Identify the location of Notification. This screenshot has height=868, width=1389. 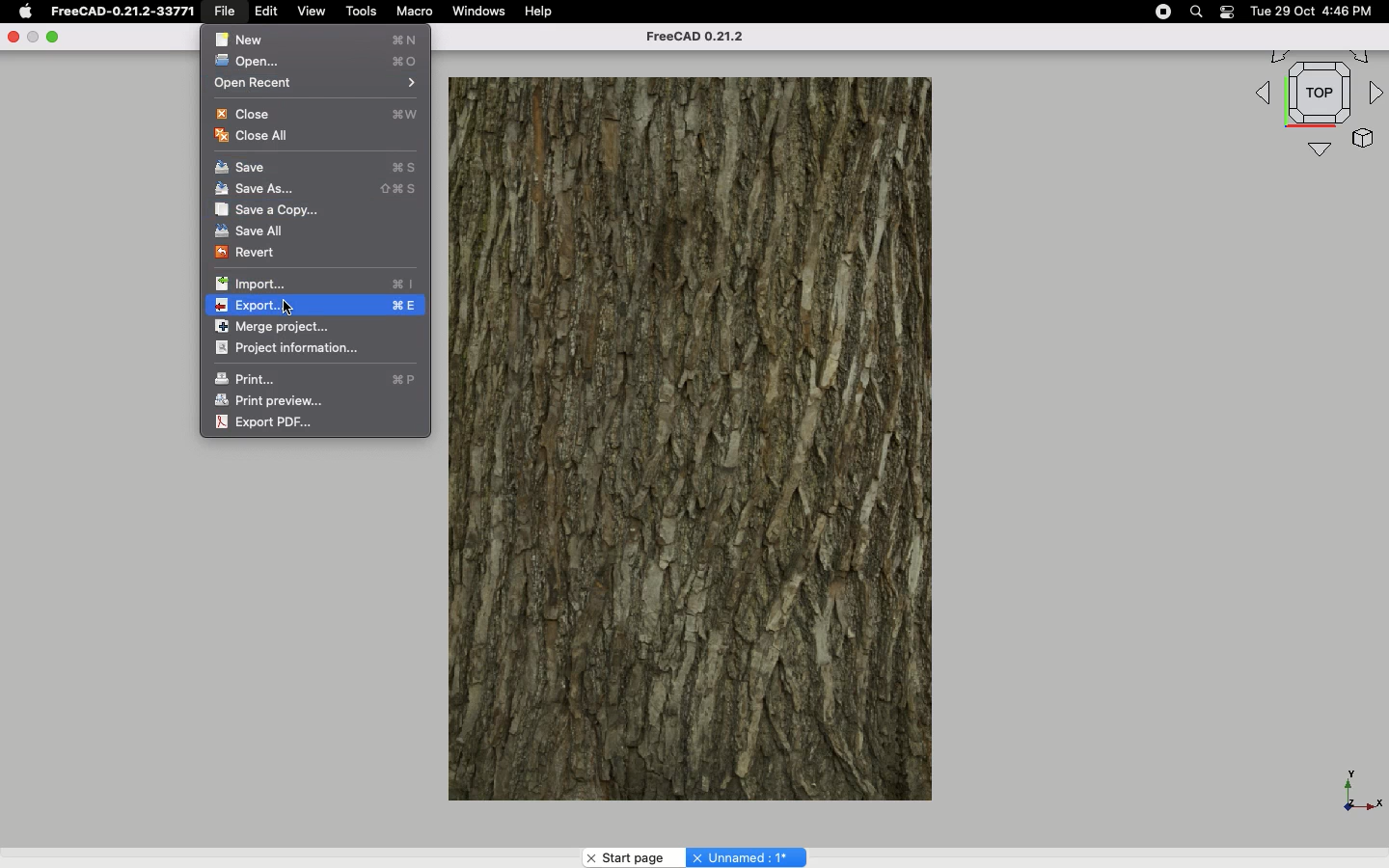
(1227, 12).